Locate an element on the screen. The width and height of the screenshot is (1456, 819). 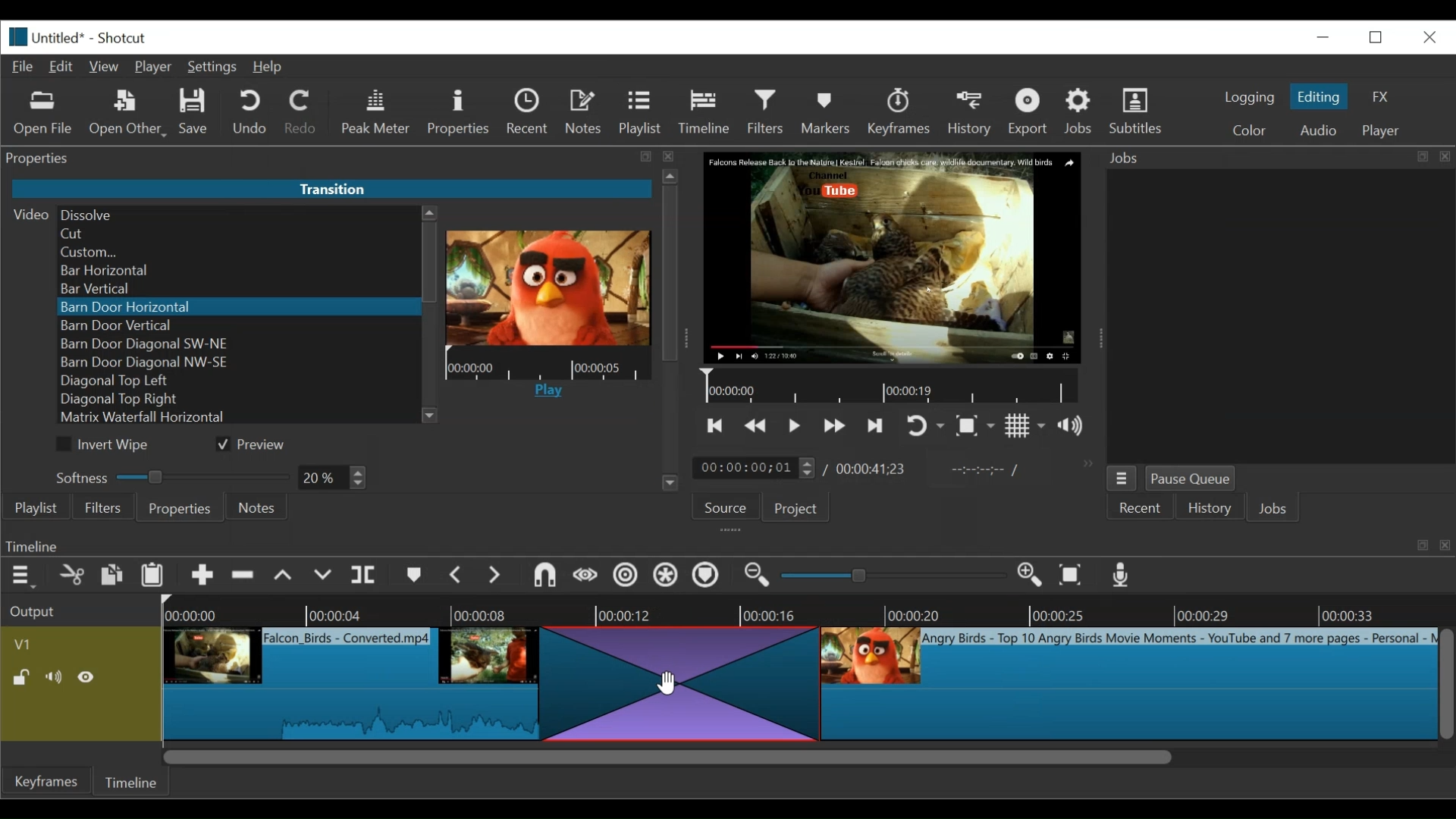
Previous Marker is located at coordinates (457, 576).